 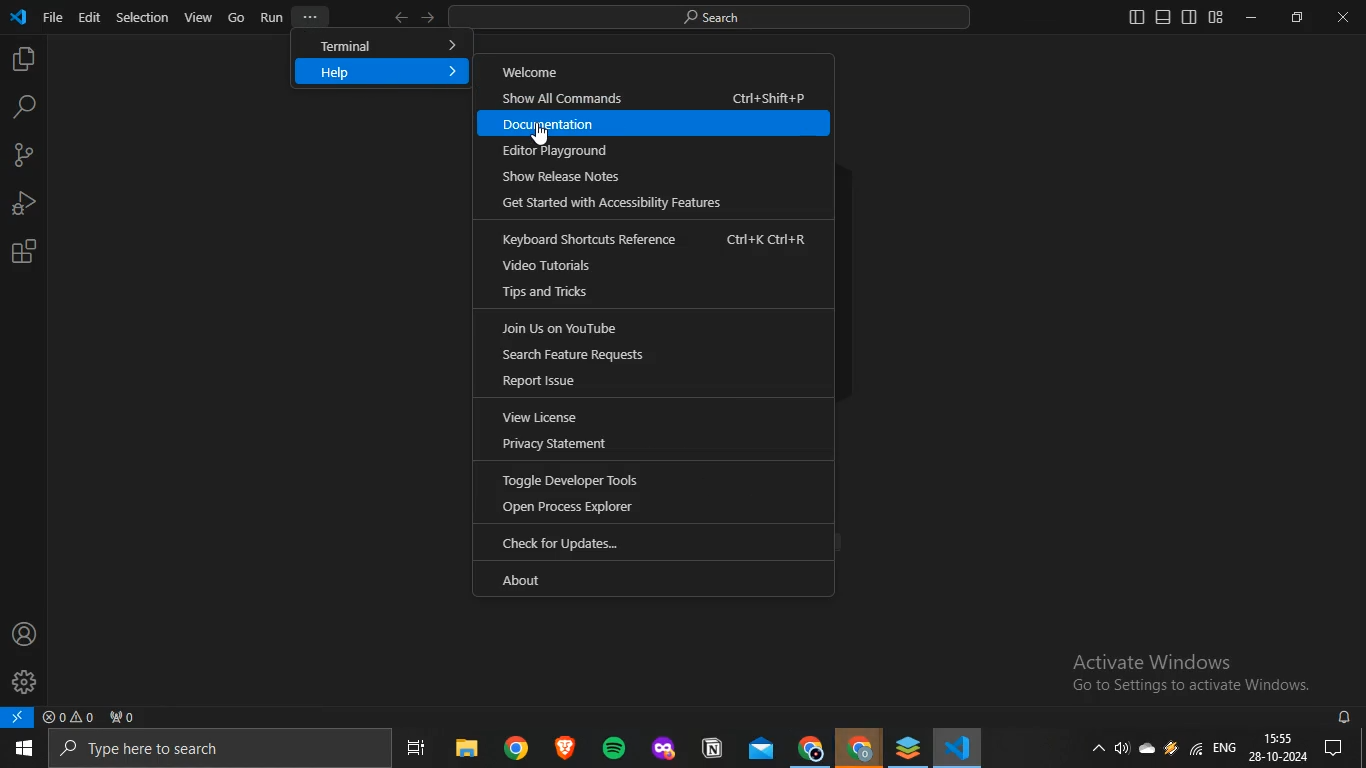 I want to click on spotify, so click(x=610, y=748).